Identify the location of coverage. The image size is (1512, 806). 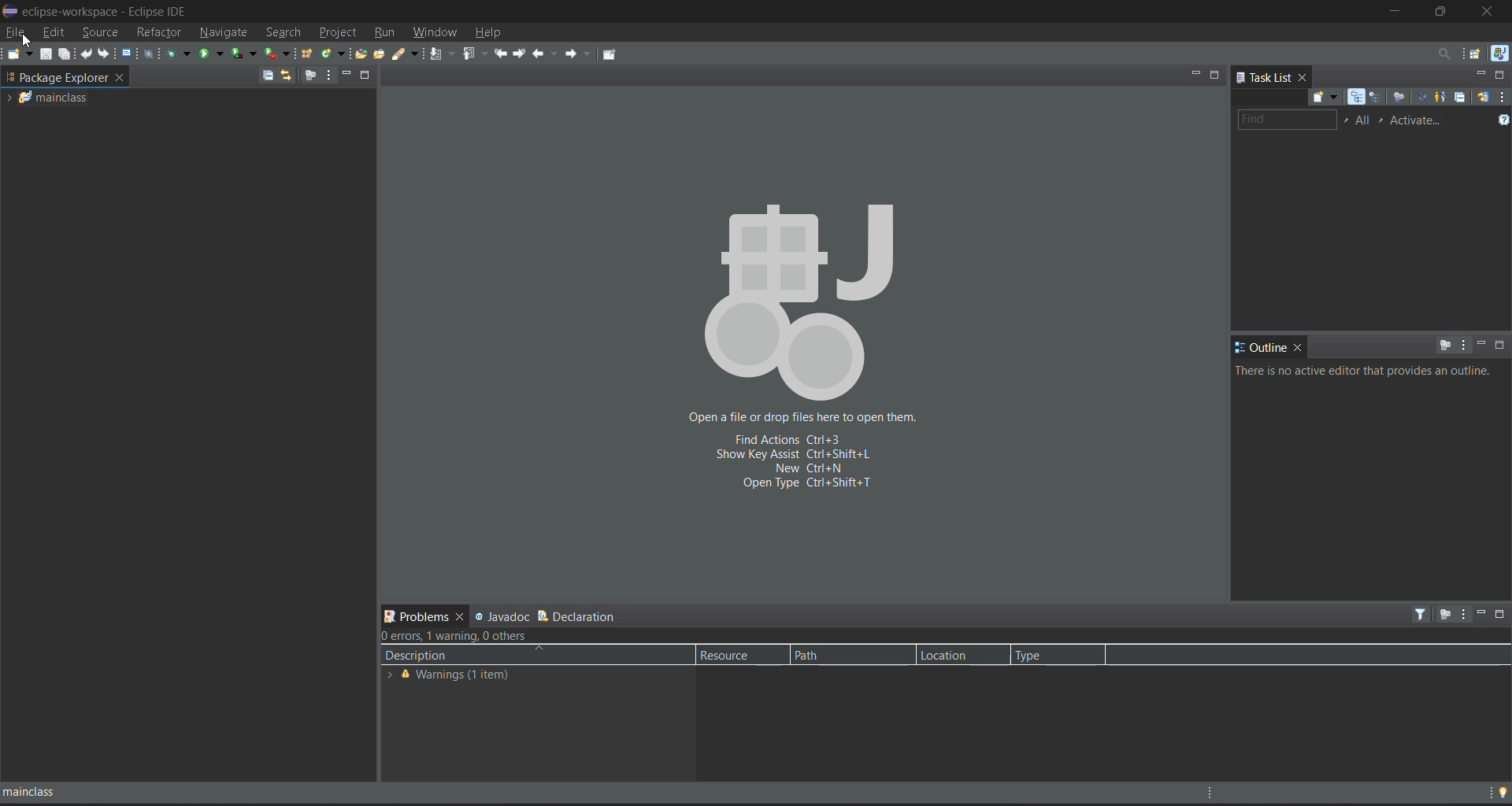
(243, 52).